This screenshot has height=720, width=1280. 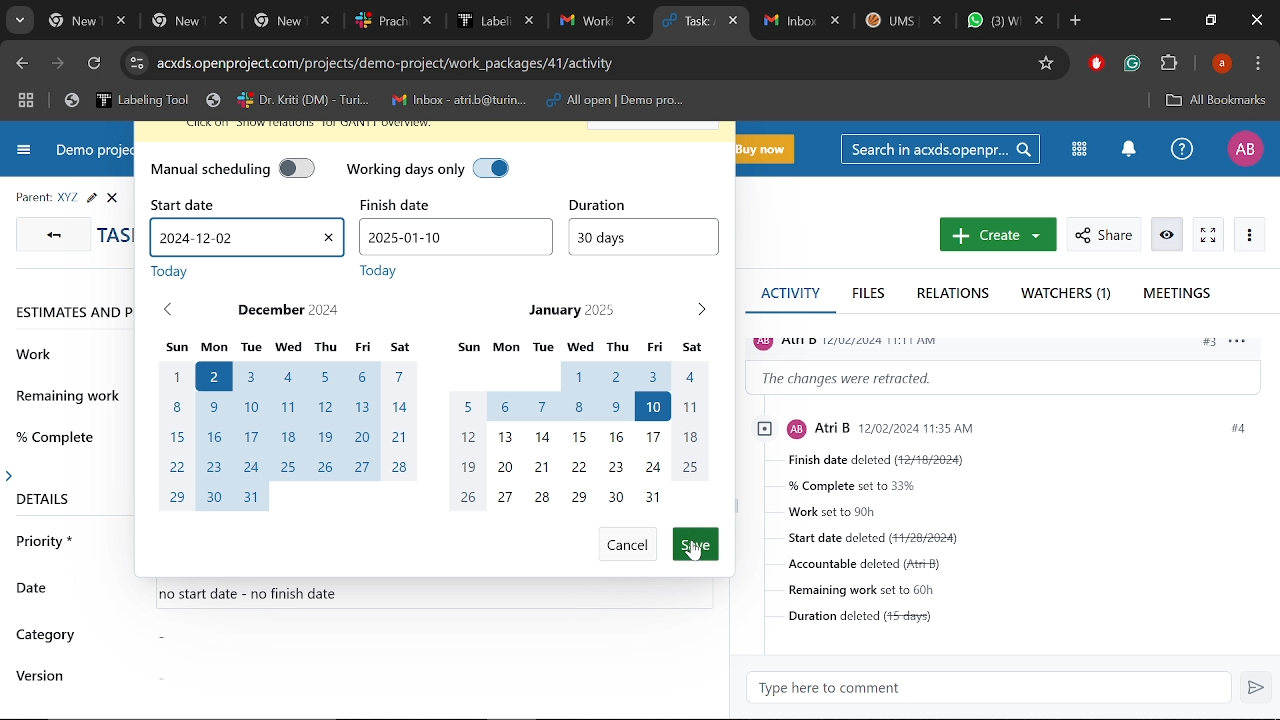 What do you see at coordinates (990, 688) in the screenshot?
I see `Type here to comment` at bounding box center [990, 688].